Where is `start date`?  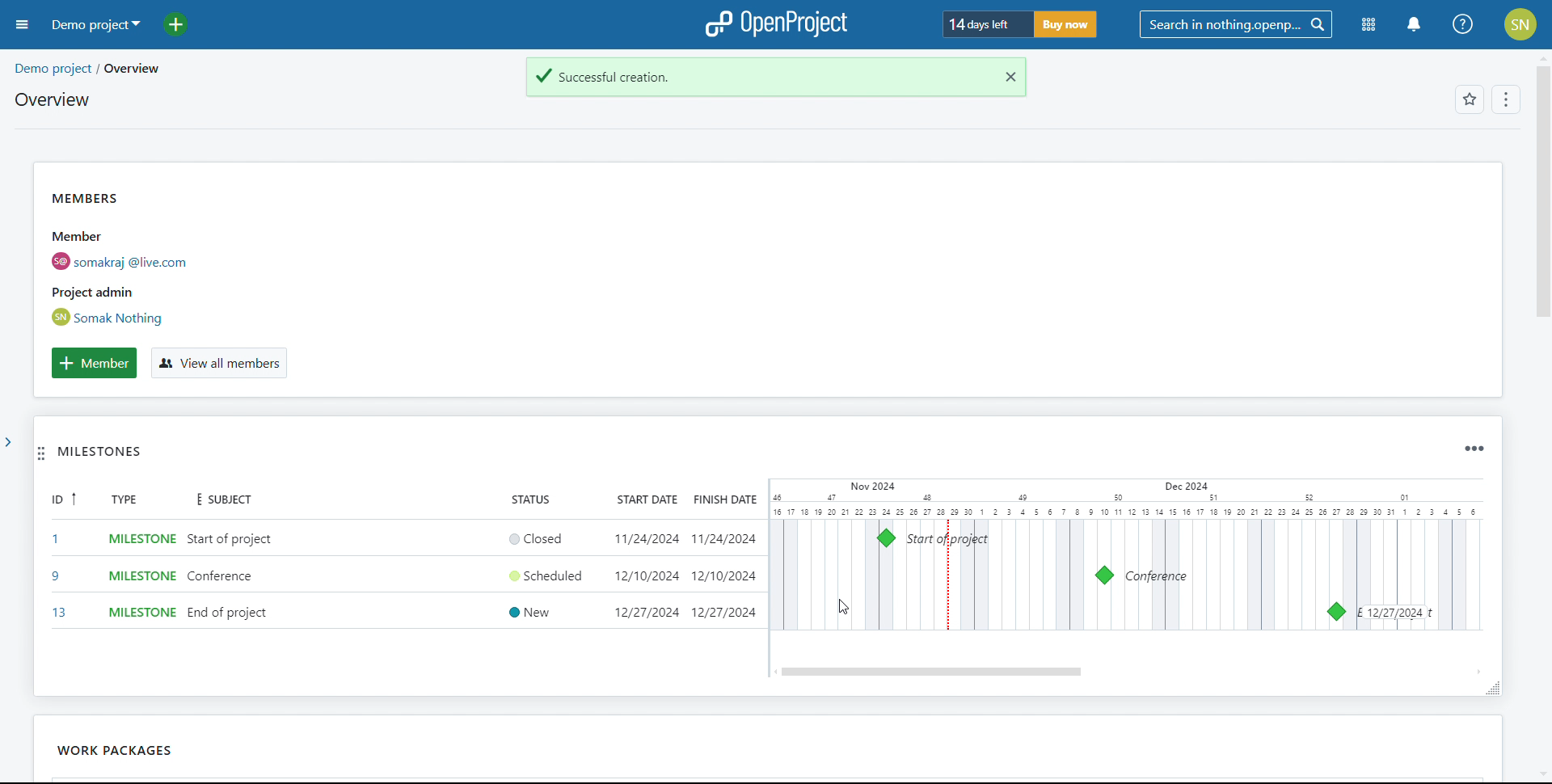
start date is located at coordinates (629, 500).